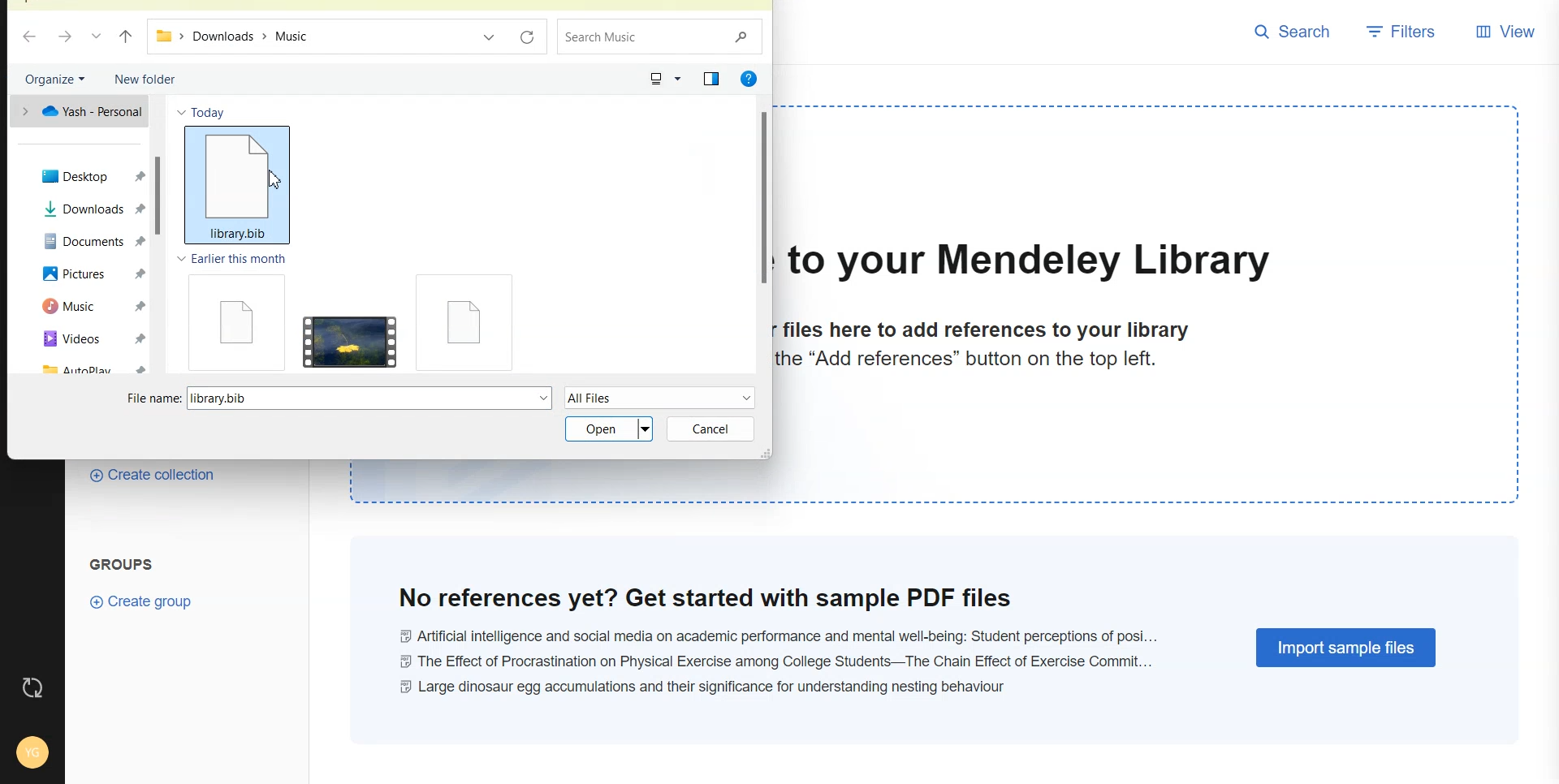  What do you see at coordinates (232, 323) in the screenshot?
I see `File` at bounding box center [232, 323].